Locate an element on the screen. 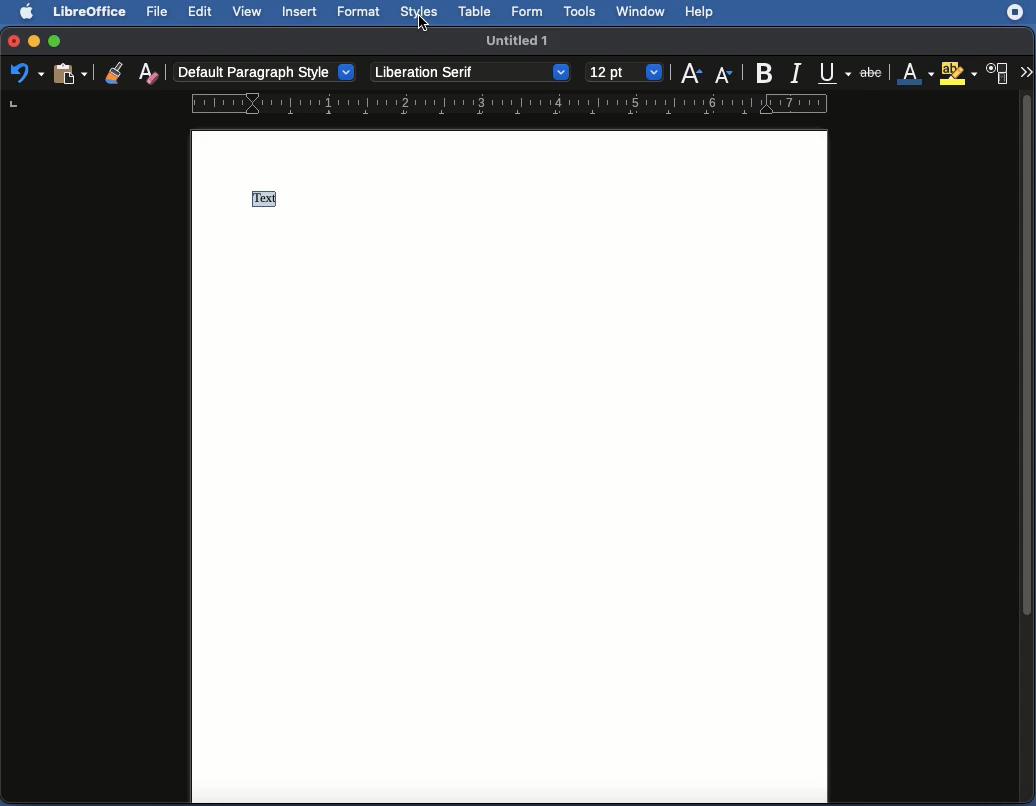 The height and width of the screenshot is (806, 1036). Bold is located at coordinates (764, 70).